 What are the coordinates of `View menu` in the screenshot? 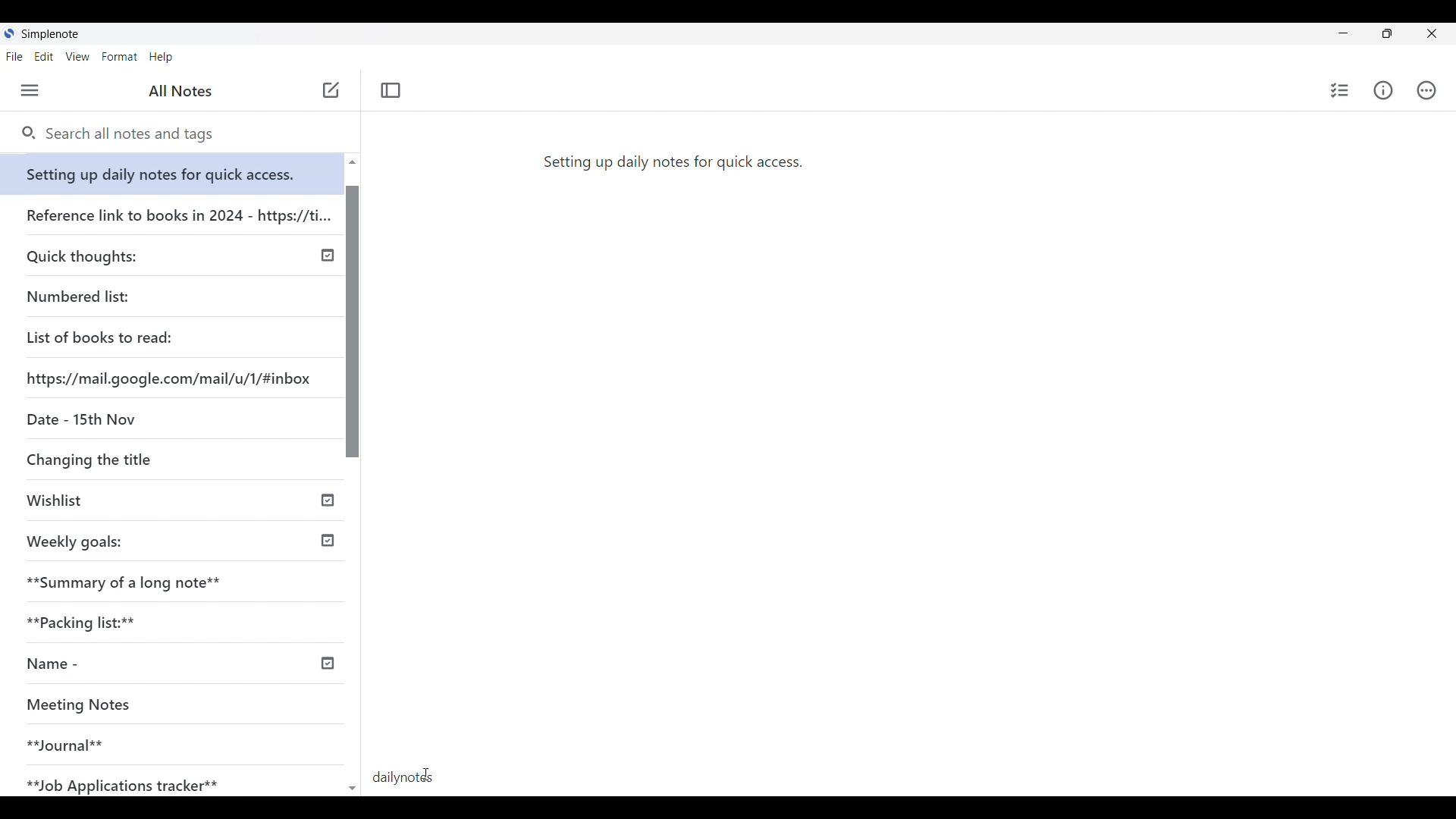 It's located at (77, 57).